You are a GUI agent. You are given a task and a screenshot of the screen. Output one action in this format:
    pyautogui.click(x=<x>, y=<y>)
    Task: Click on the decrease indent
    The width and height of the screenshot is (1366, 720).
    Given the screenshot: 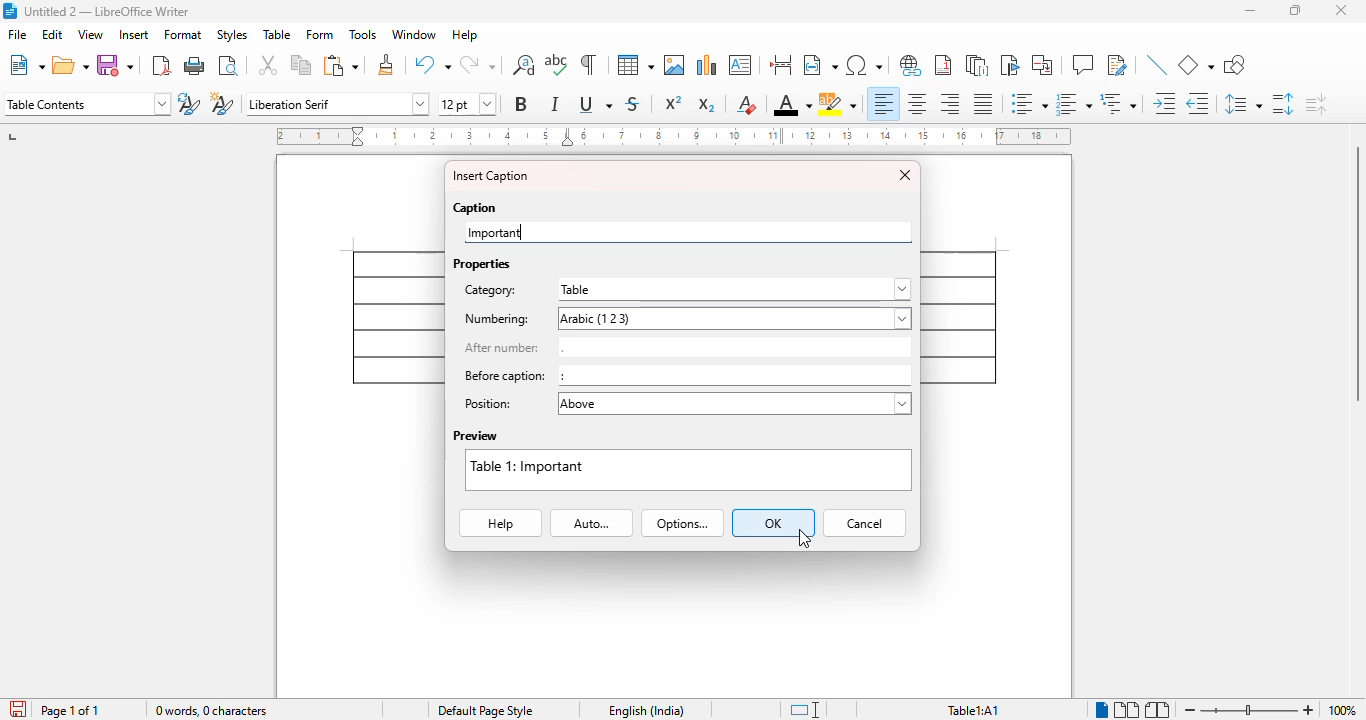 What is the action you would take?
    pyautogui.click(x=1198, y=104)
    